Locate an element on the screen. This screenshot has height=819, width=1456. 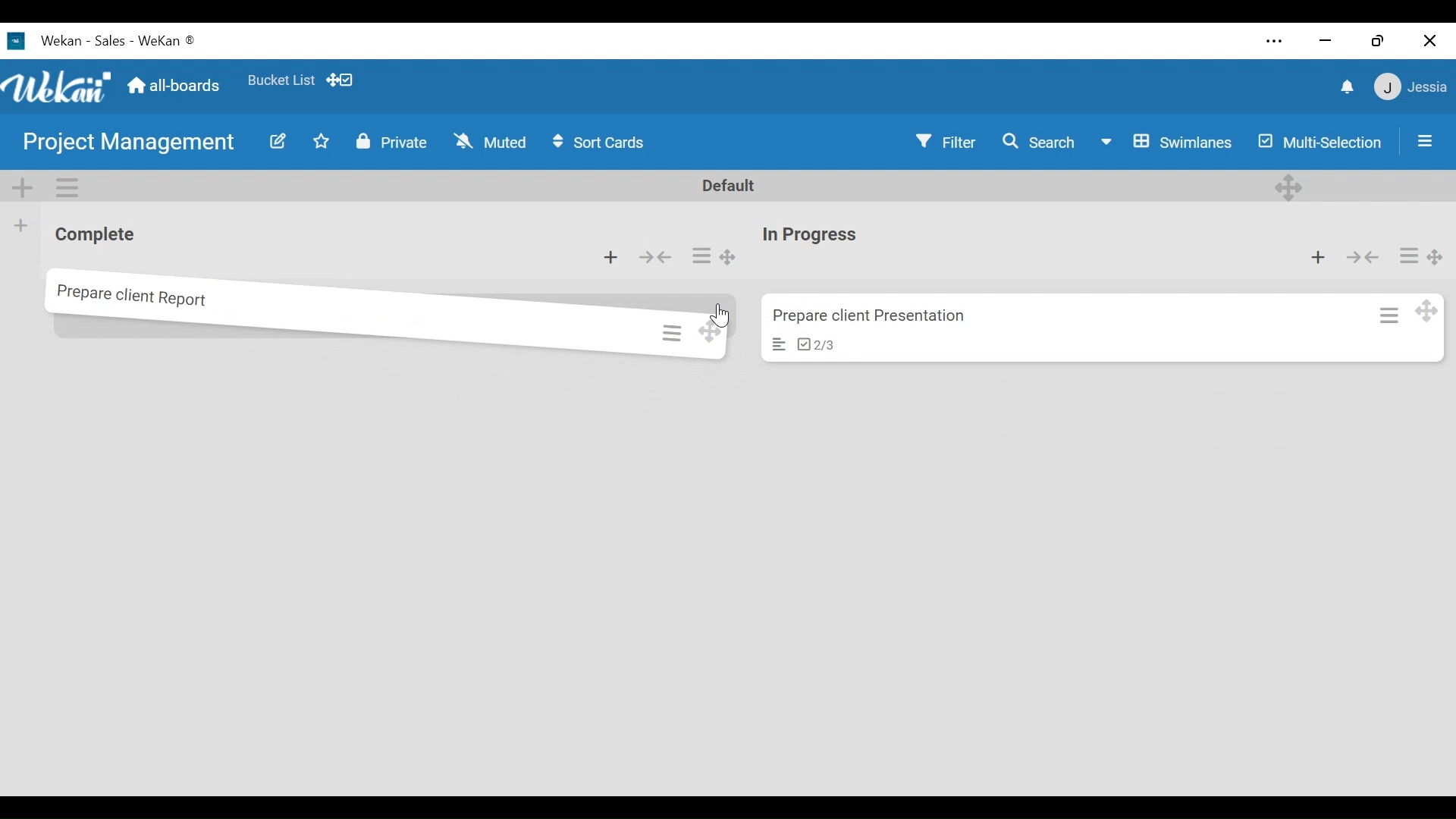
Private is located at coordinates (393, 143).